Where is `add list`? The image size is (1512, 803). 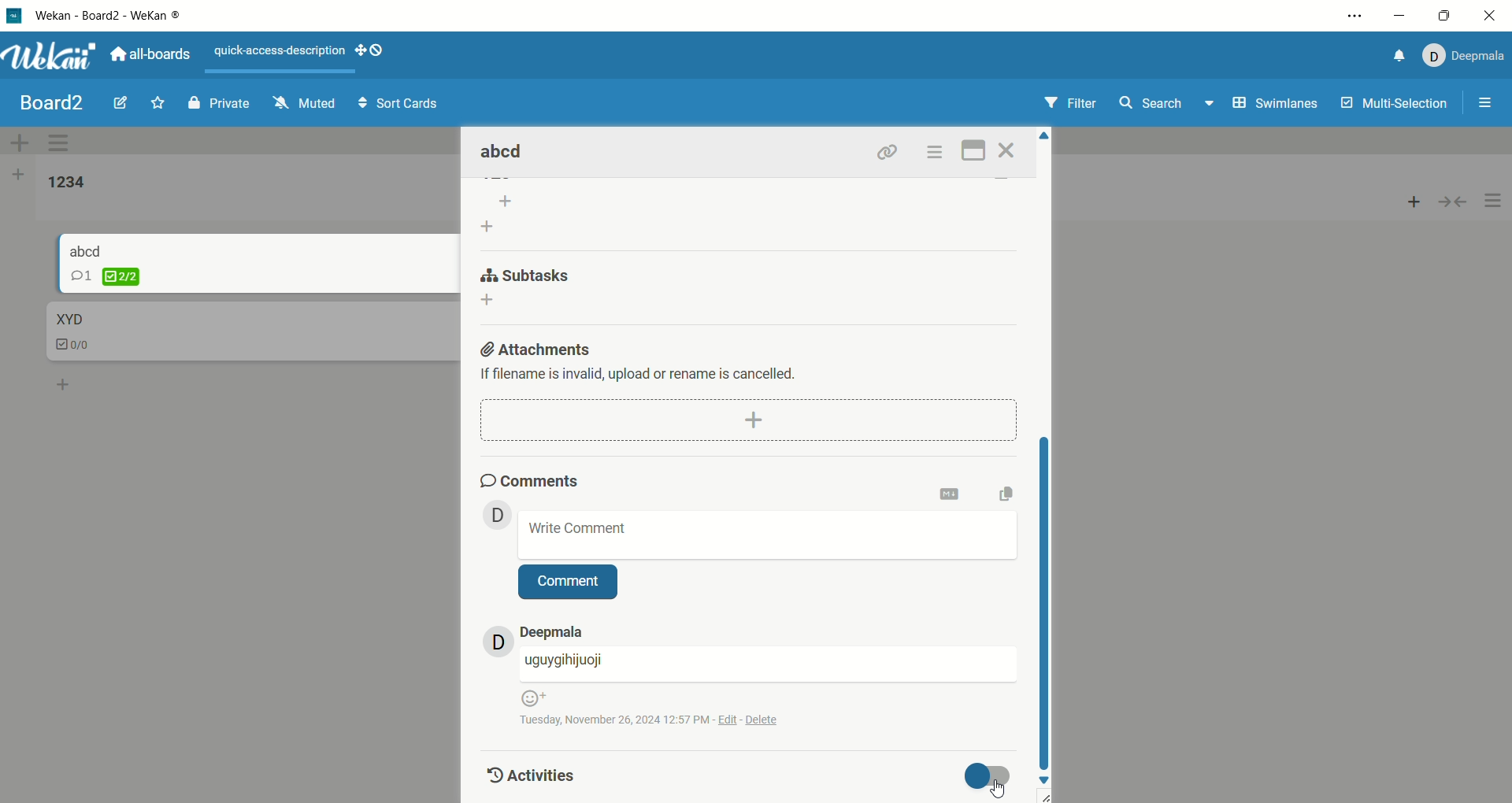 add list is located at coordinates (500, 215).